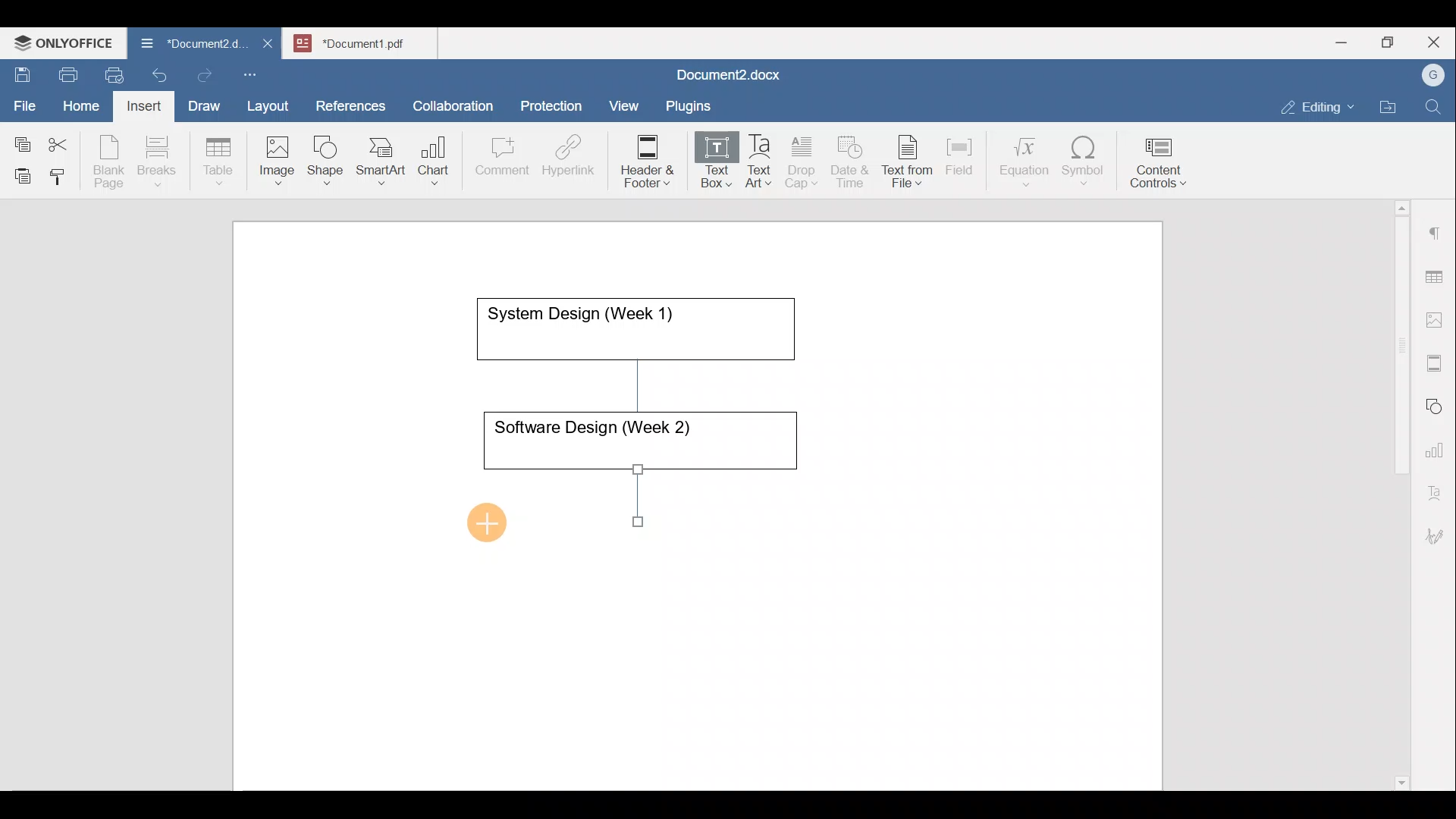 The image size is (1456, 819). Describe the element at coordinates (1435, 108) in the screenshot. I see `Find` at that location.